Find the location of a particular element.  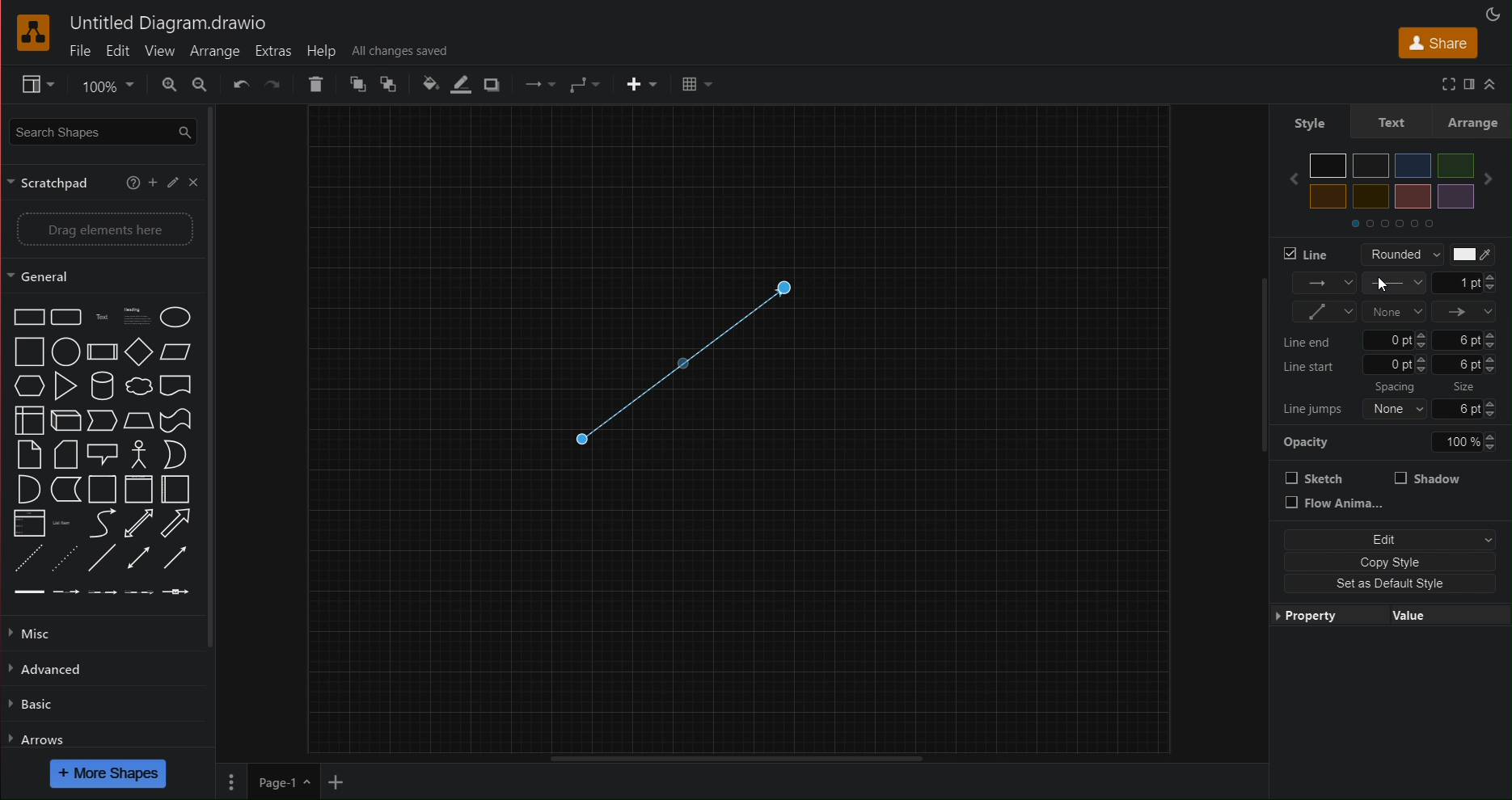

Drag elements here is located at coordinates (102, 229).